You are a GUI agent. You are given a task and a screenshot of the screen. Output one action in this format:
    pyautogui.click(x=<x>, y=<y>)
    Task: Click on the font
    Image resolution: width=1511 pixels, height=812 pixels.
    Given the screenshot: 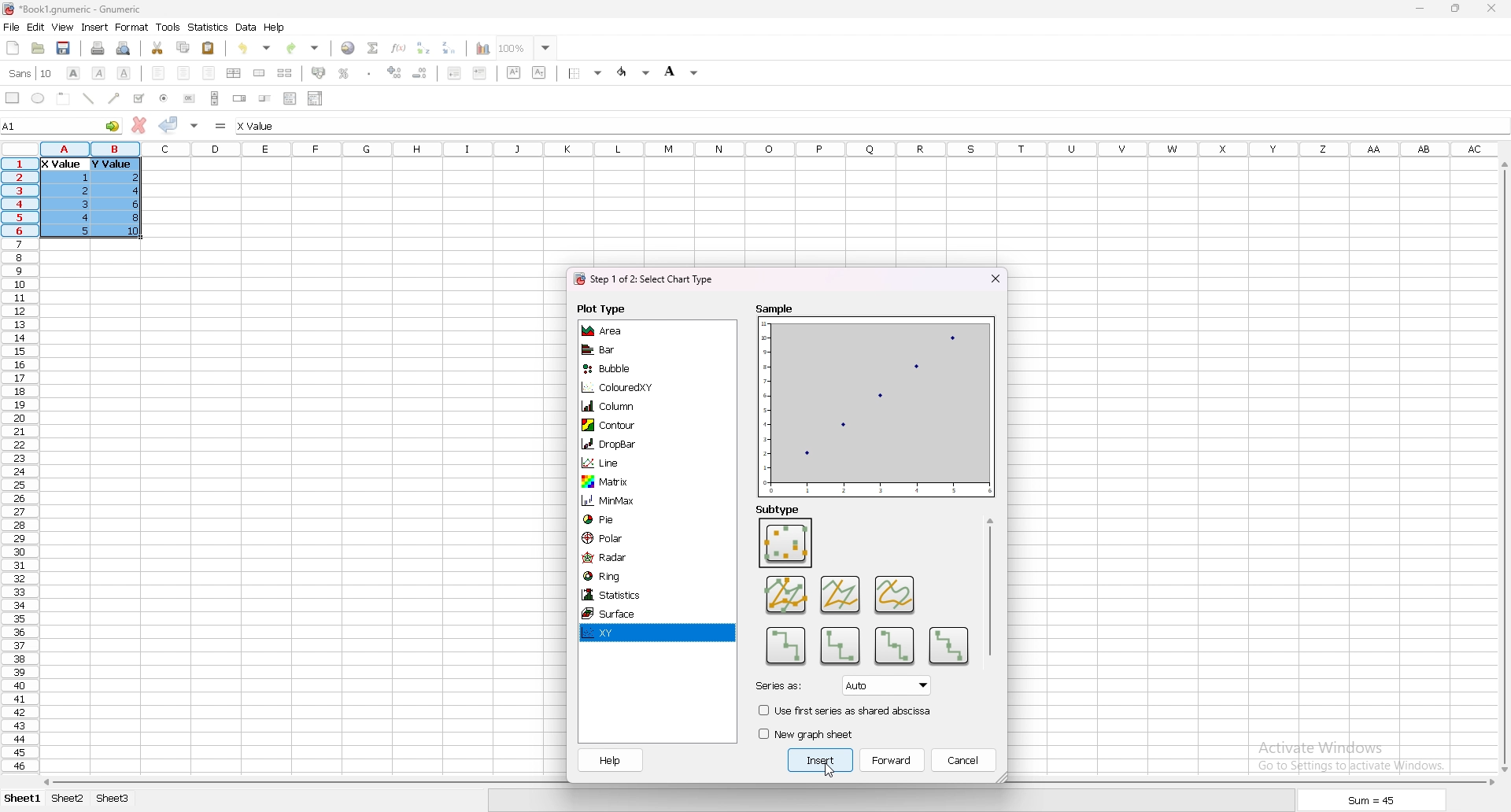 What is the action you would take?
    pyautogui.click(x=31, y=73)
    